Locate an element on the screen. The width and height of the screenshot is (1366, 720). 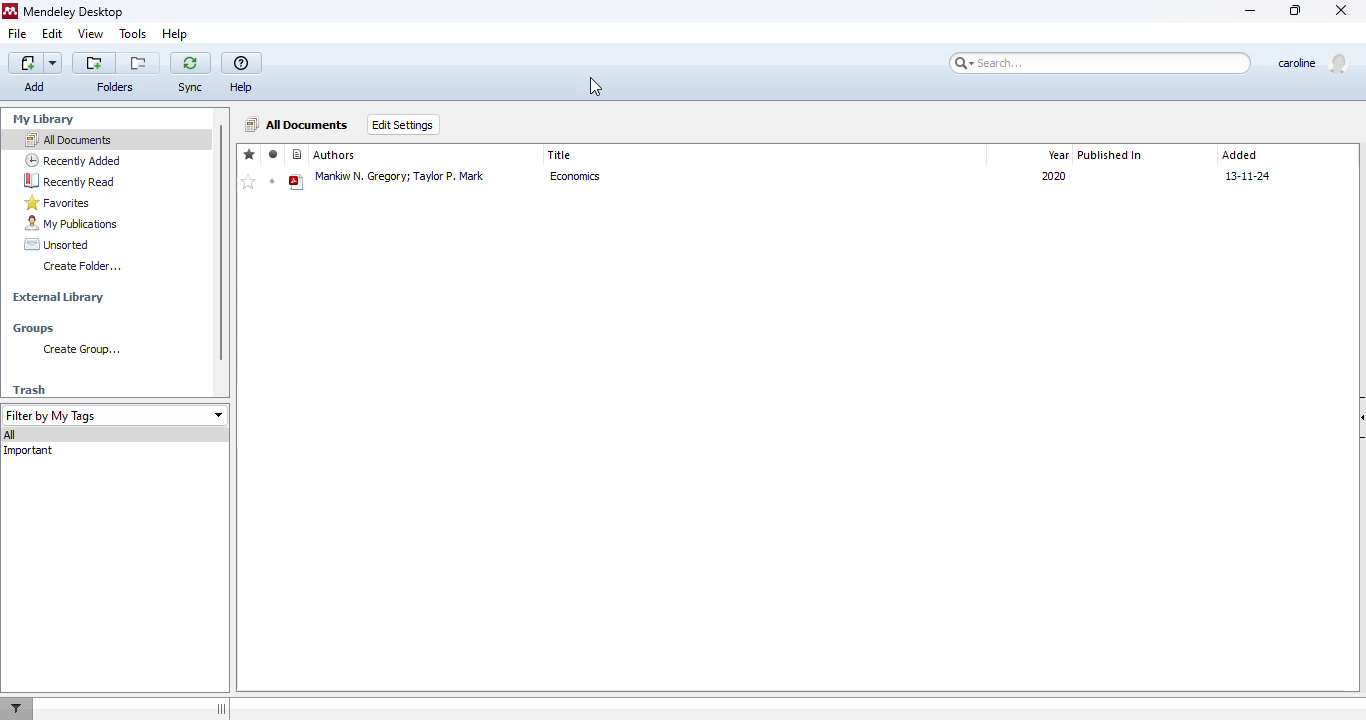
groups is located at coordinates (34, 328).